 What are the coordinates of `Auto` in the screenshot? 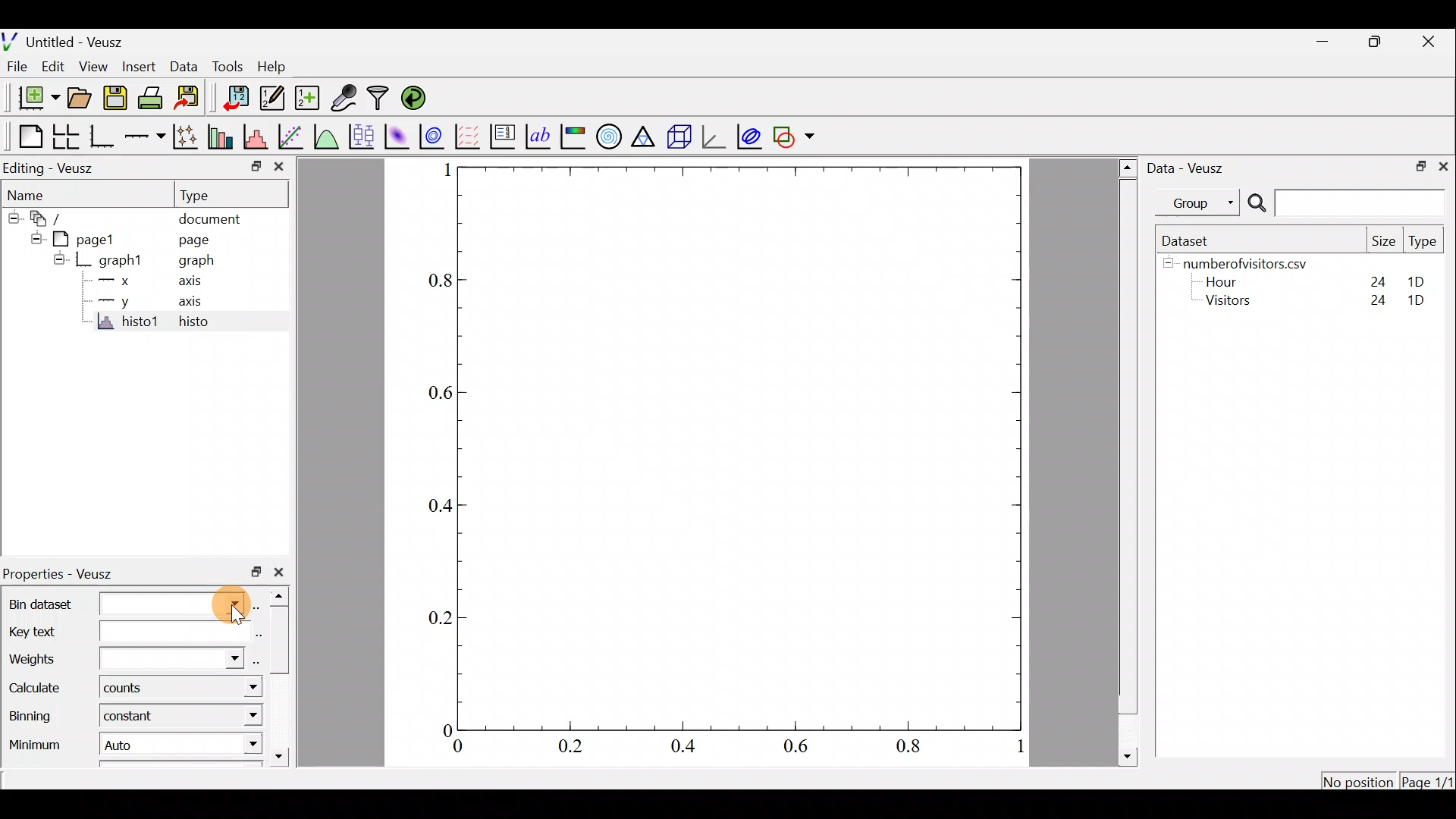 It's located at (144, 744).